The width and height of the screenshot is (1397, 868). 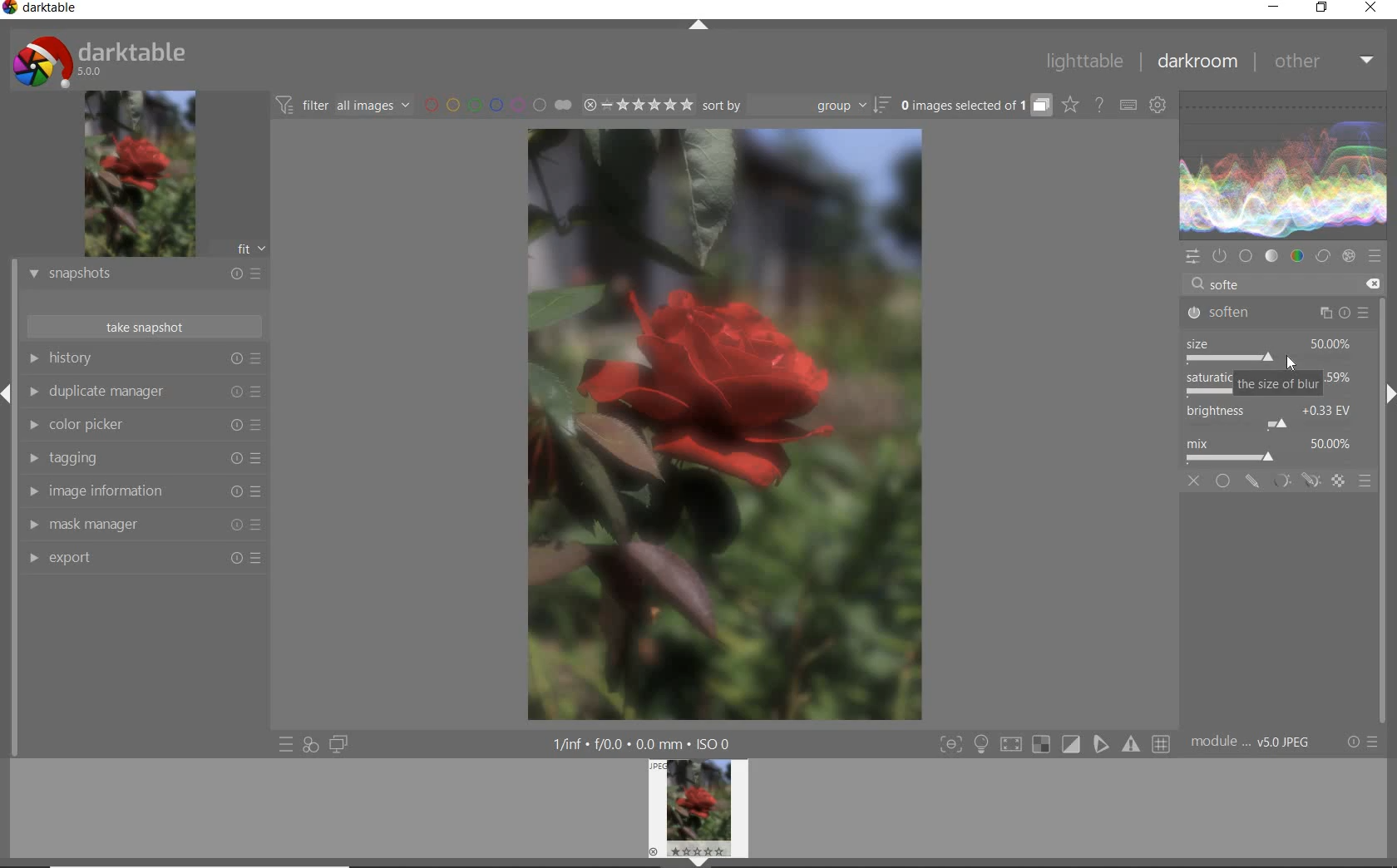 I want to click on waveform, so click(x=1285, y=167).